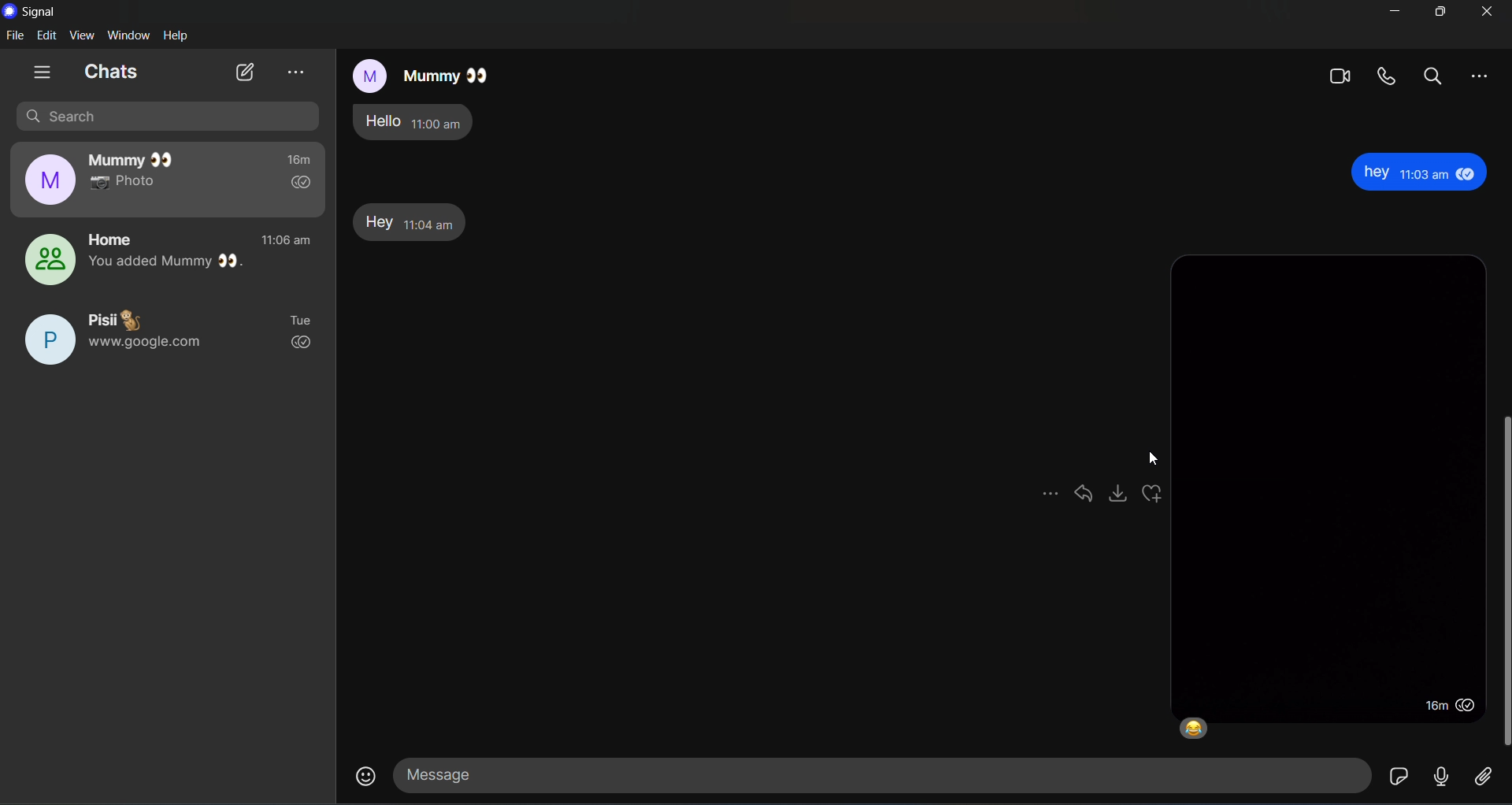 The image size is (1512, 805). I want to click on search, so click(168, 116).